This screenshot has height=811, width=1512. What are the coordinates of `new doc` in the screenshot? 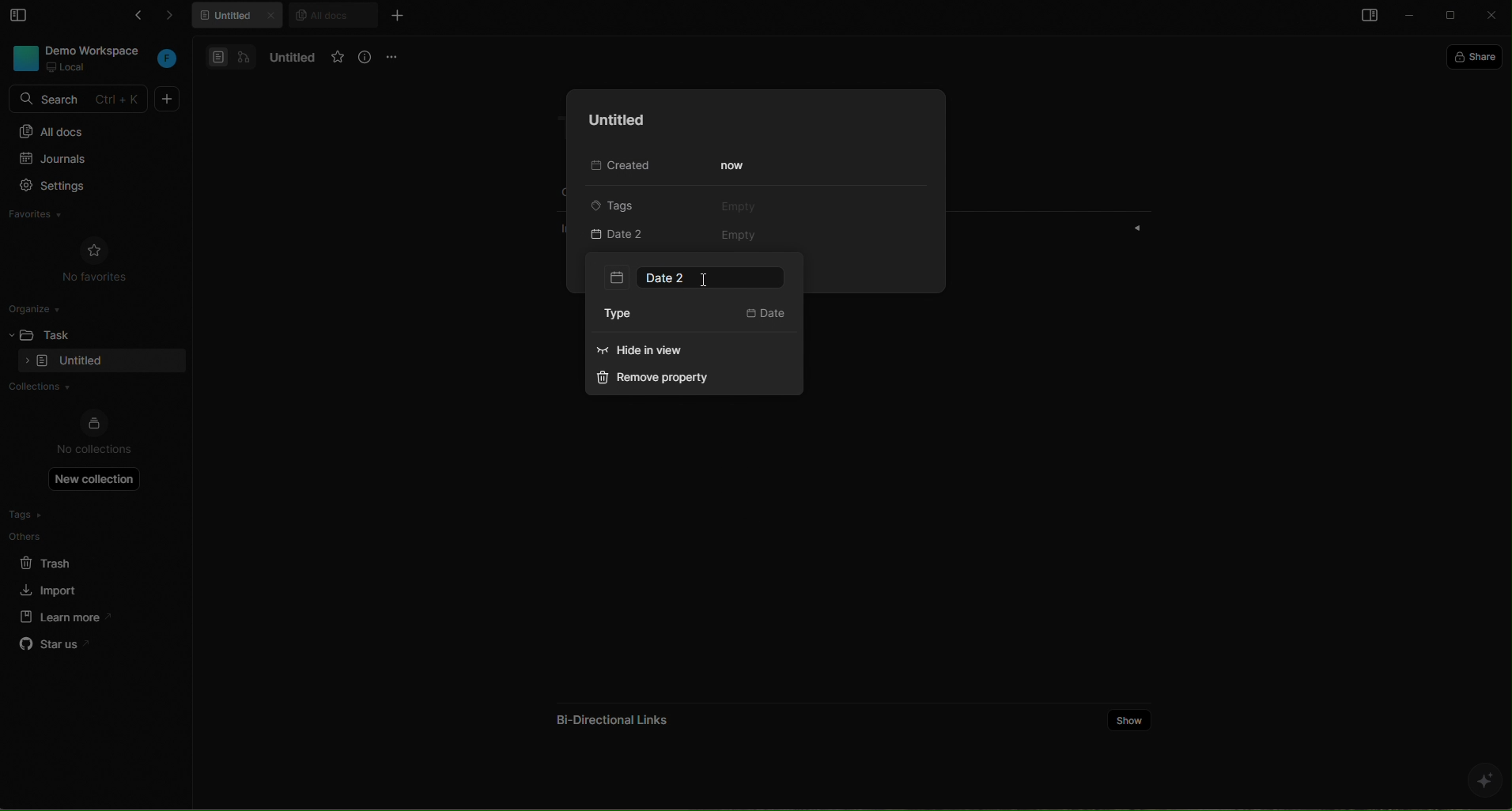 It's located at (168, 99).